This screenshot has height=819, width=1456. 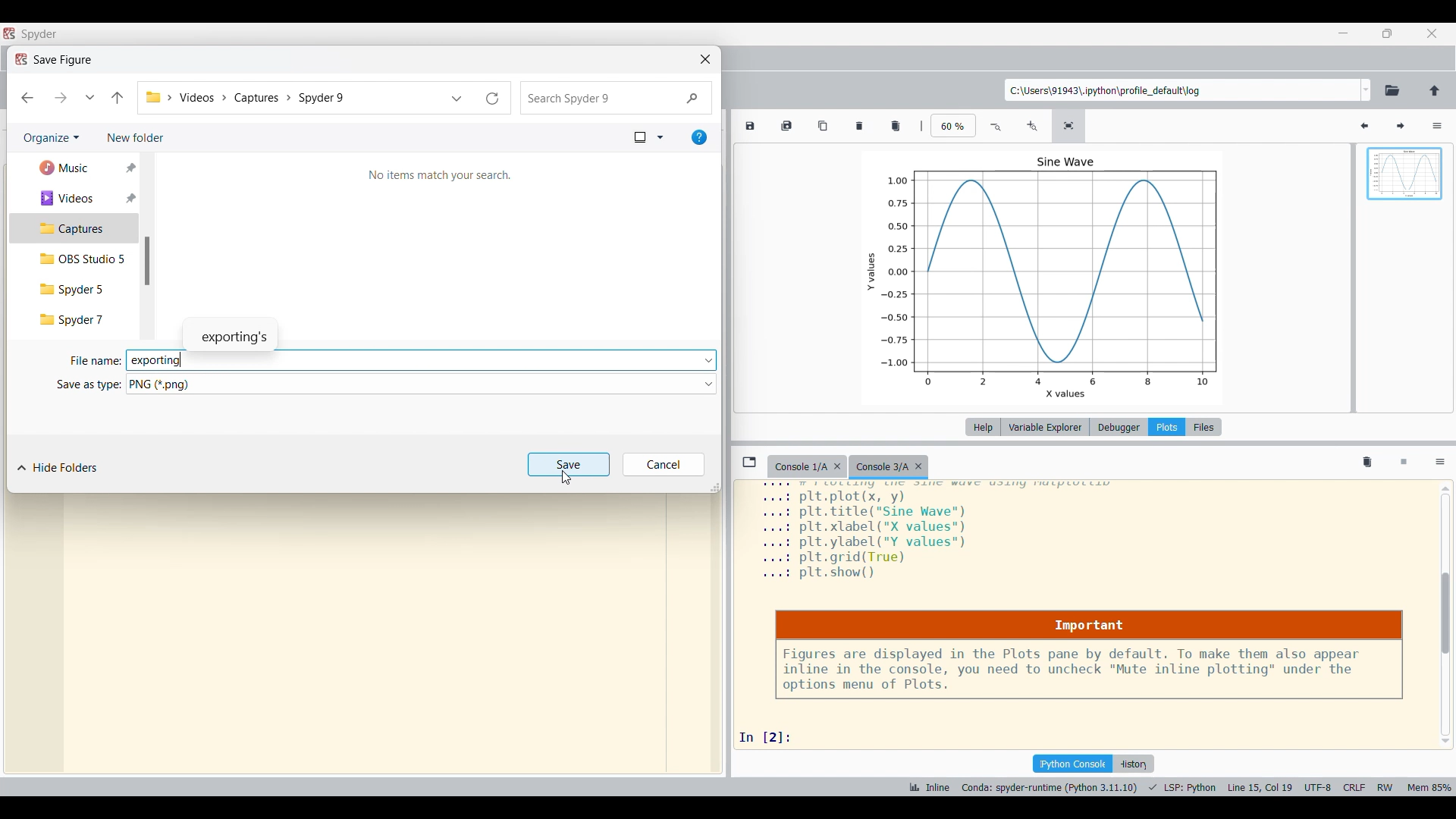 What do you see at coordinates (96, 361) in the screenshot?
I see `Indicates file name` at bounding box center [96, 361].